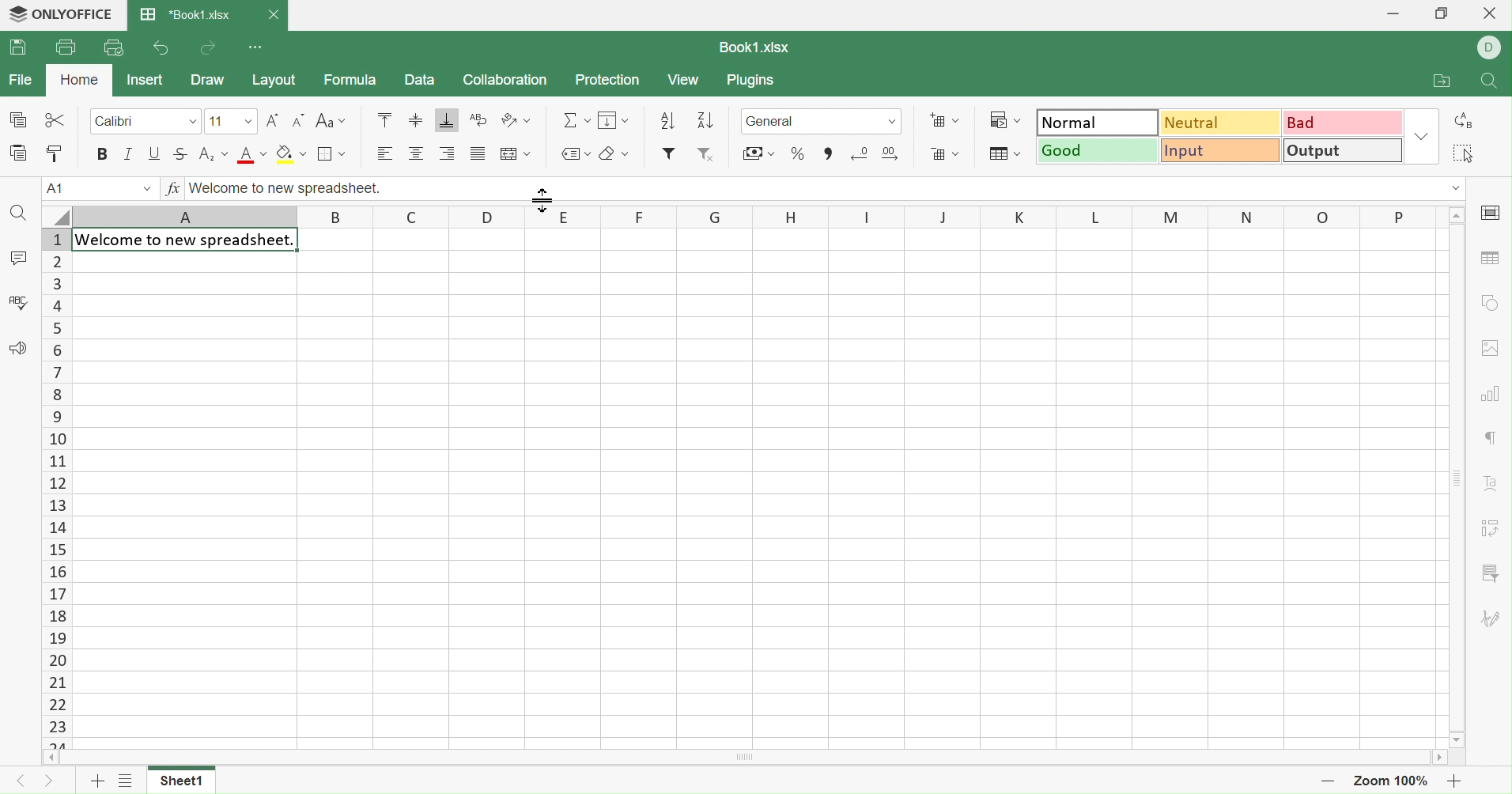 This screenshot has width=1512, height=794. Describe the element at coordinates (117, 120) in the screenshot. I see `Calibri` at that location.